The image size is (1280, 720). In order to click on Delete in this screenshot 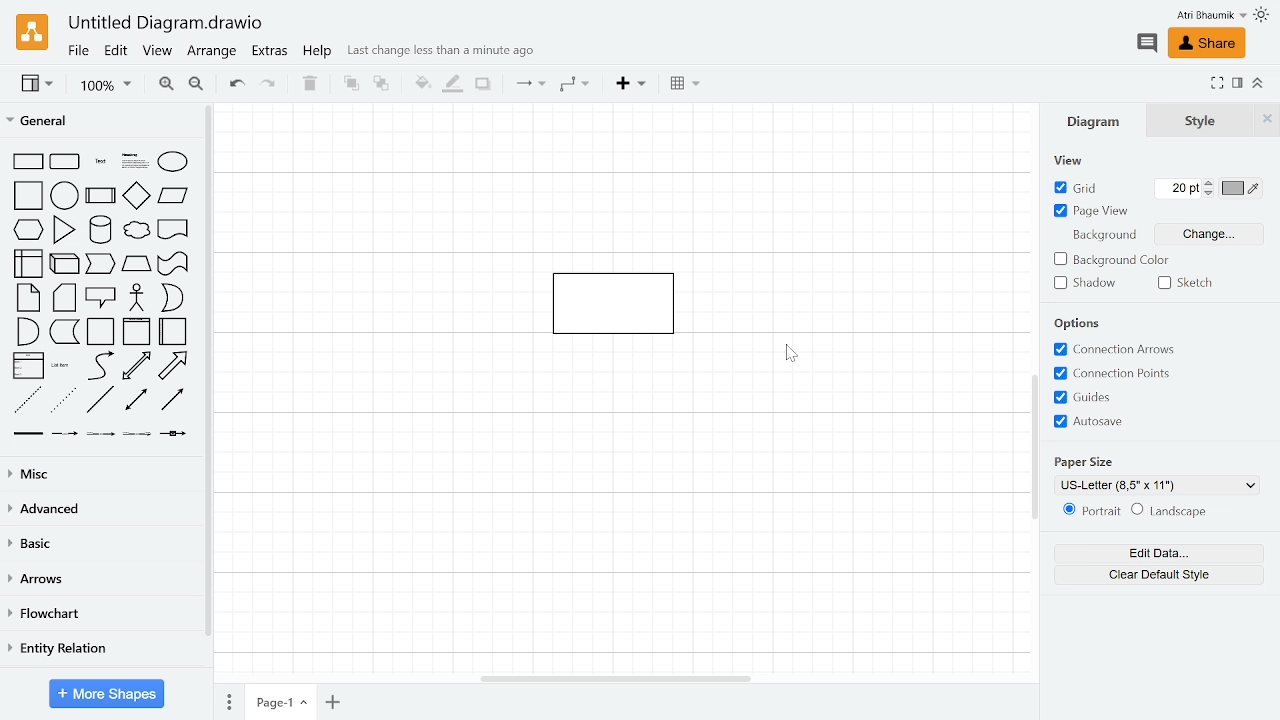, I will do `click(310, 85)`.